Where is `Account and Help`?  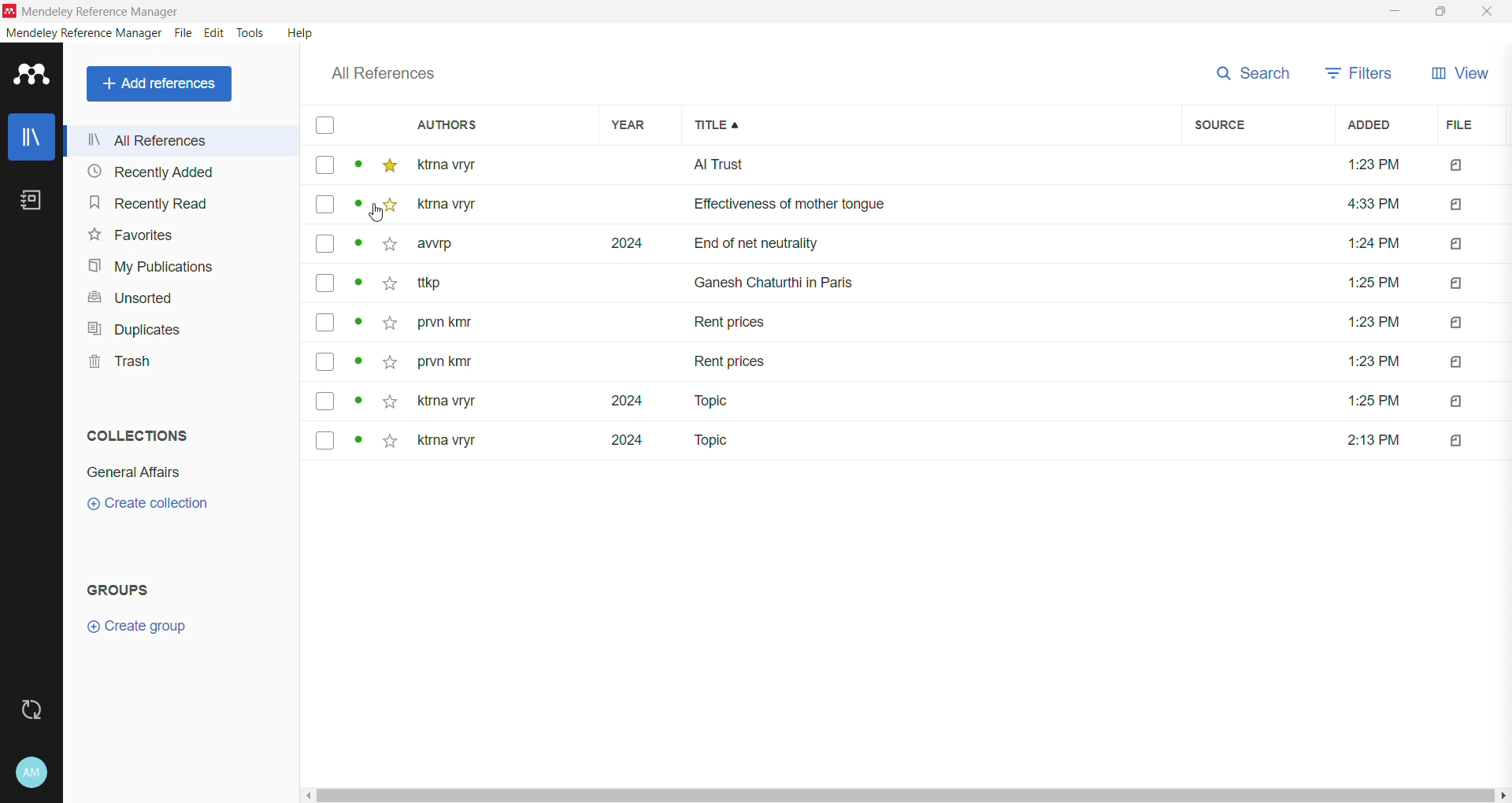
Account and Help is located at coordinates (32, 773).